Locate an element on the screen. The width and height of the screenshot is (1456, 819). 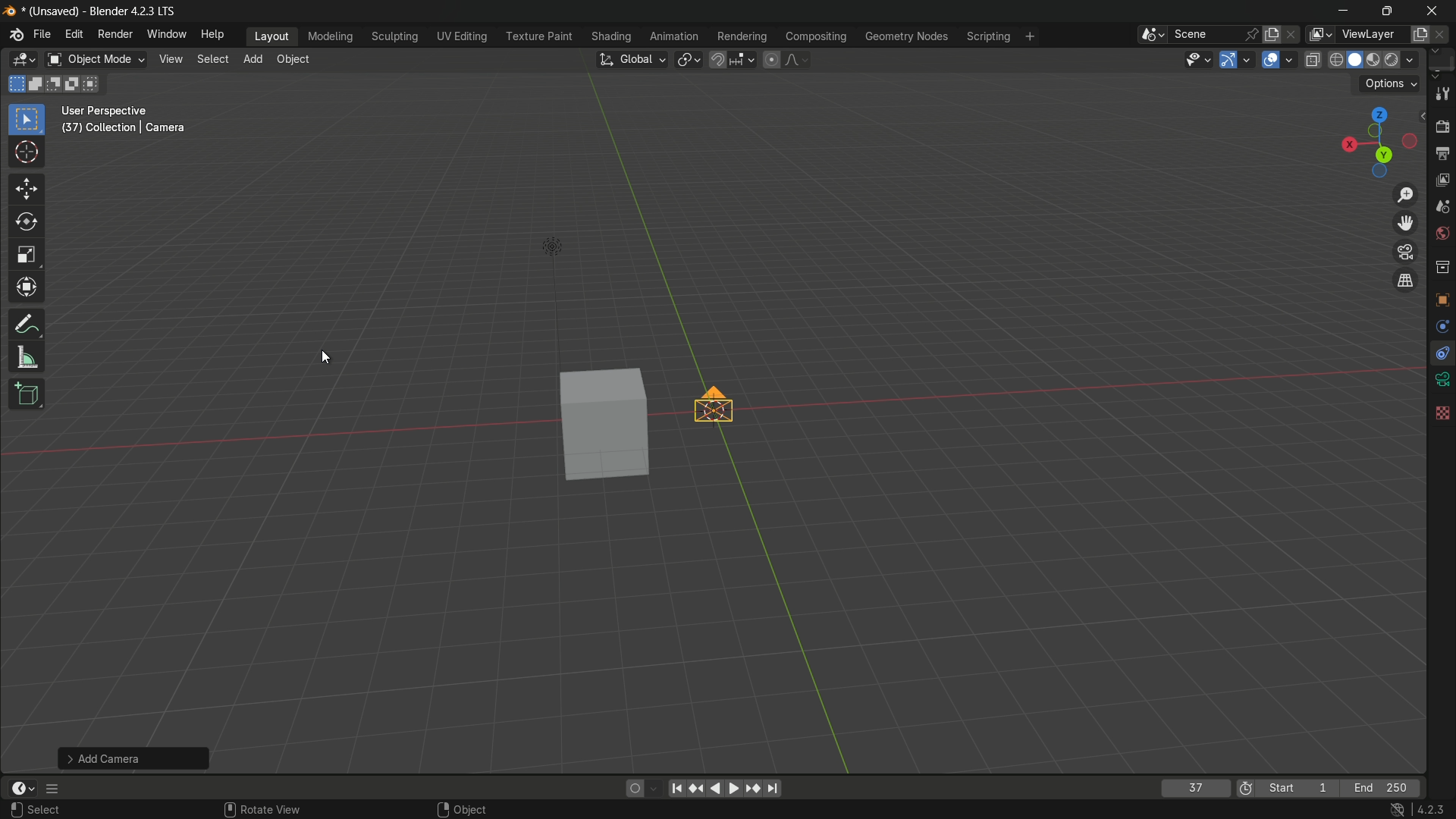
user perspective (37) | collection  is located at coordinates (124, 119).